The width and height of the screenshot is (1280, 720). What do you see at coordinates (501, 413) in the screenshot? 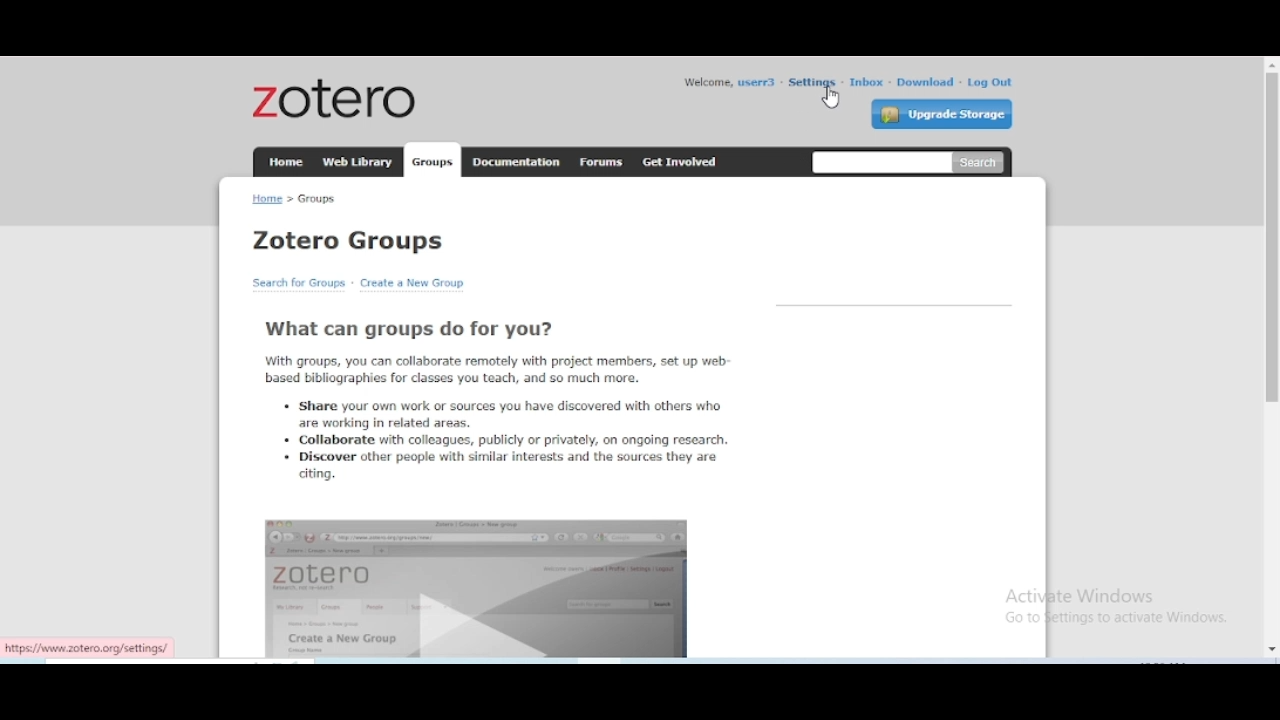
I see `+ Share your own work or sources you have discovered with others who are working in velated areas.` at bounding box center [501, 413].